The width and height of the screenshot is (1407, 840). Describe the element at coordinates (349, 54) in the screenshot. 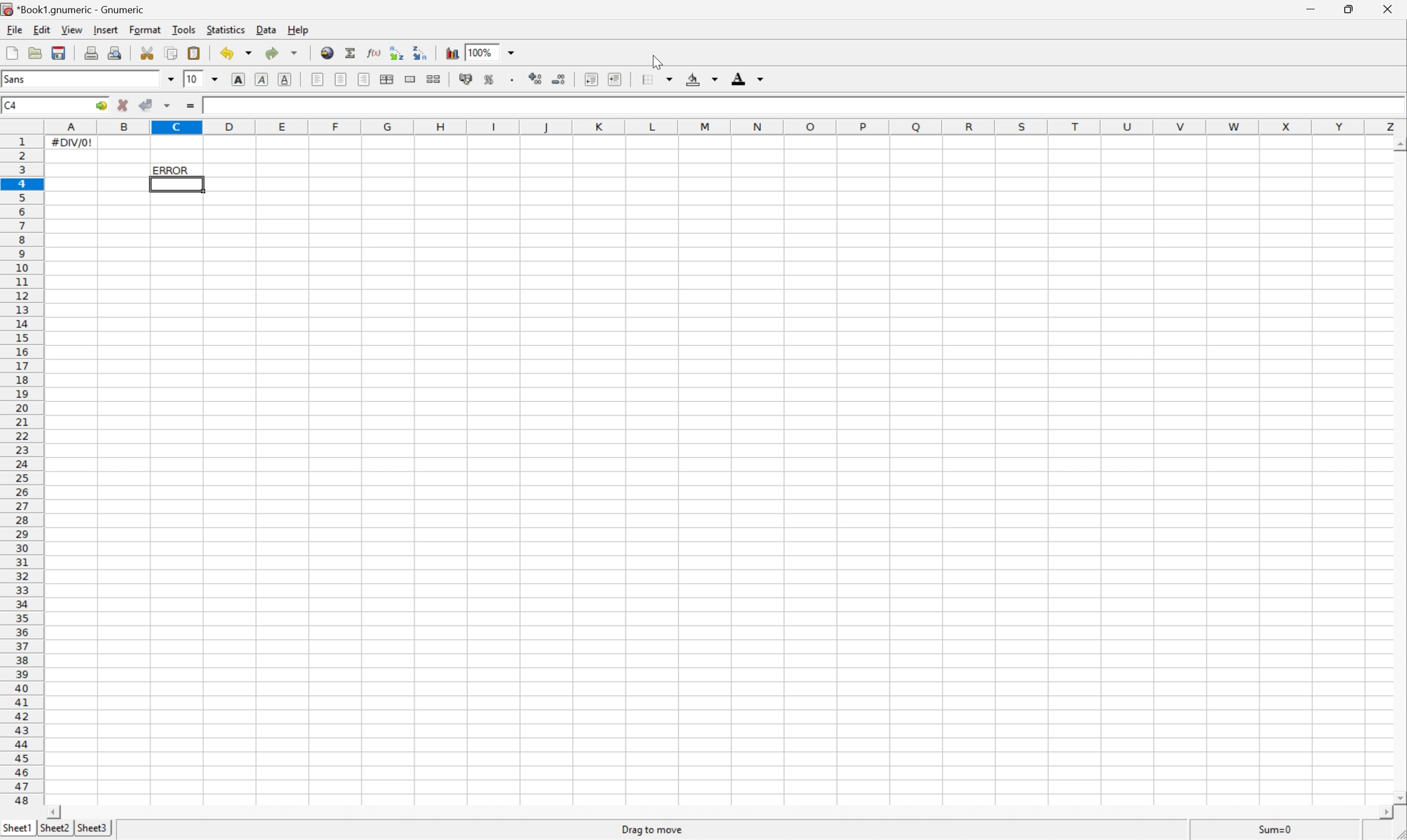

I see `Sum into the current cell` at that location.